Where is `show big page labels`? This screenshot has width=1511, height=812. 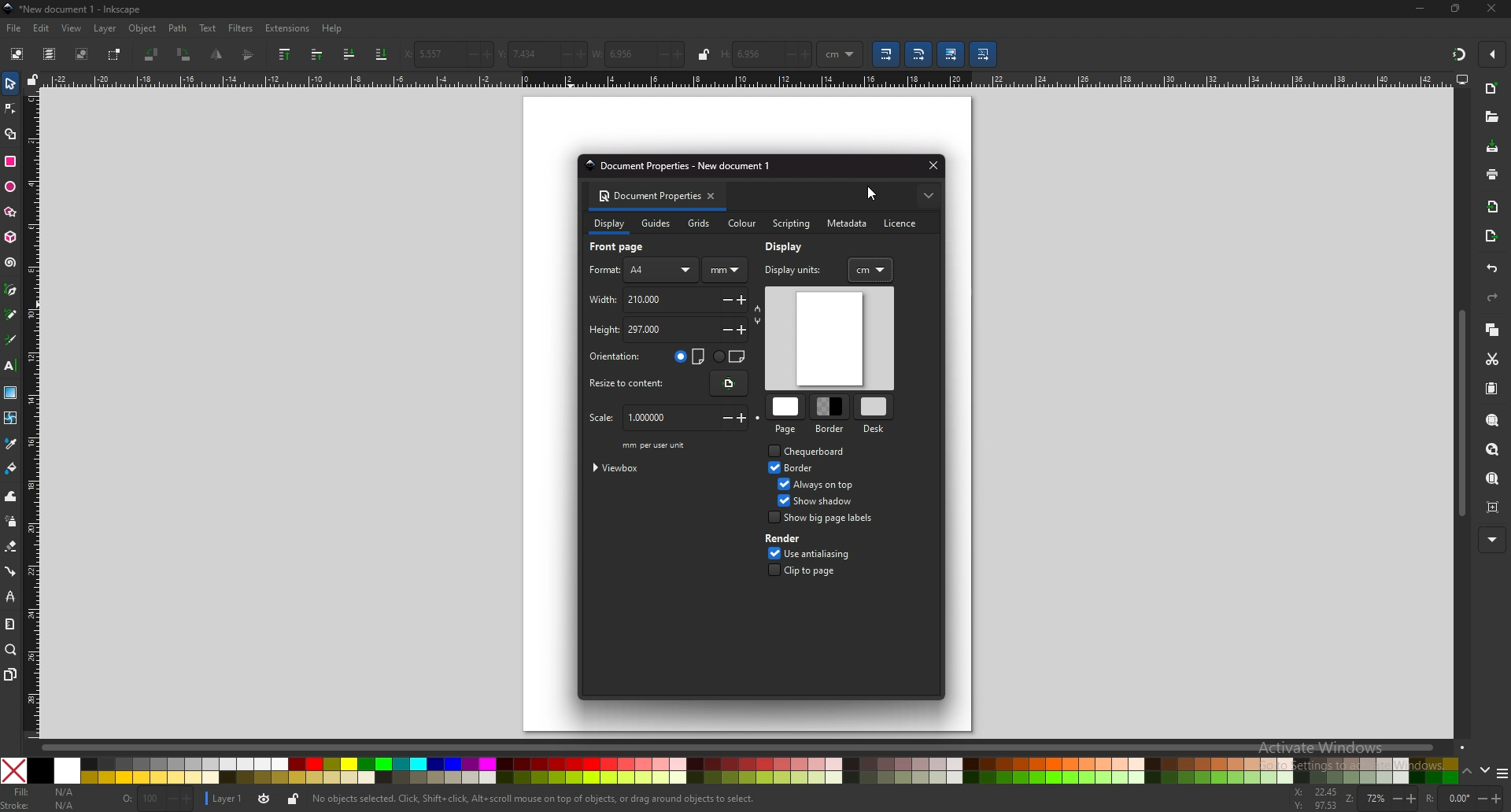
show big page labels is located at coordinates (830, 517).